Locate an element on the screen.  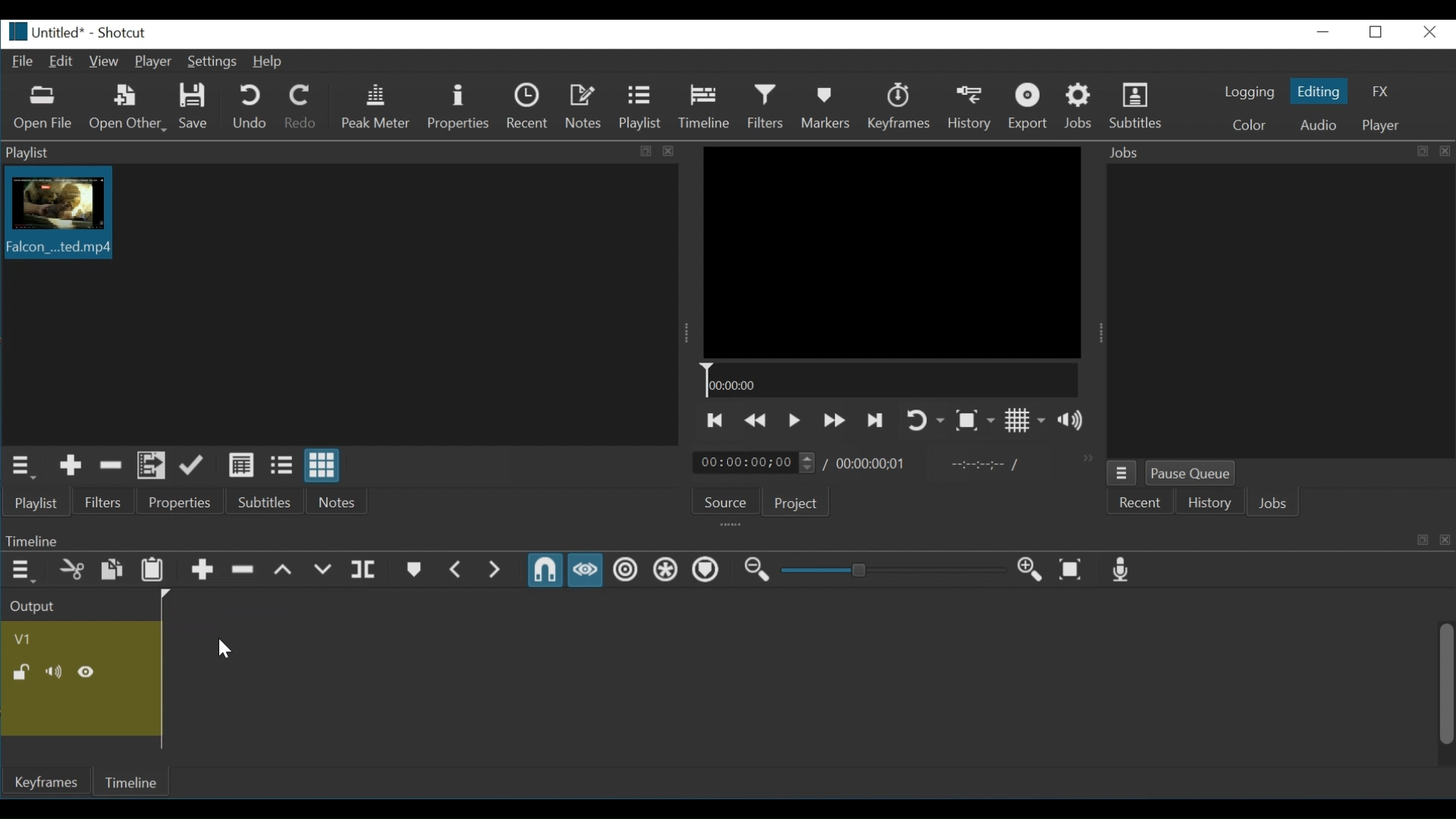
Ripple is located at coordinates (625, 570).